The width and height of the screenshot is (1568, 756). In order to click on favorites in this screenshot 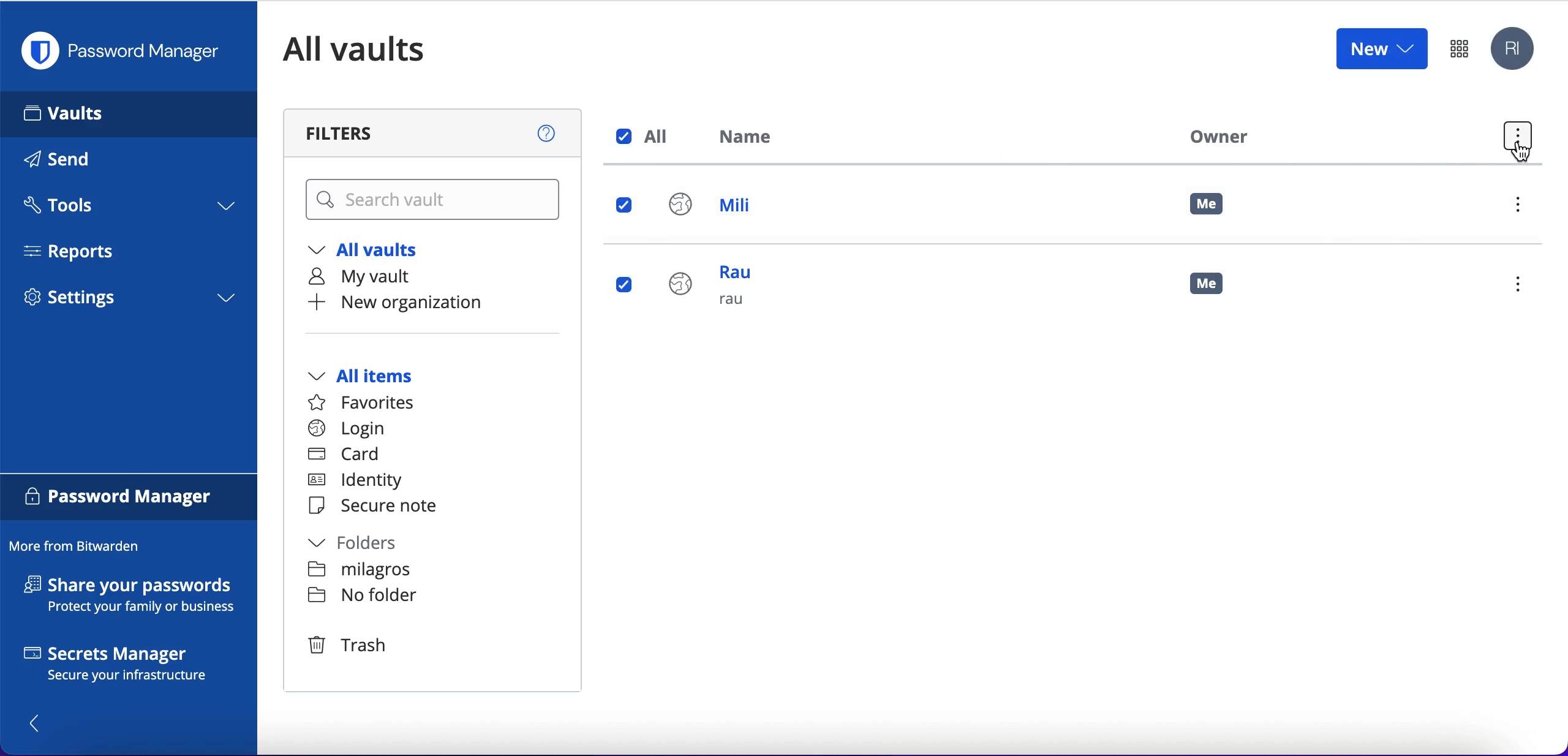, I will do `click(369, 403)`.